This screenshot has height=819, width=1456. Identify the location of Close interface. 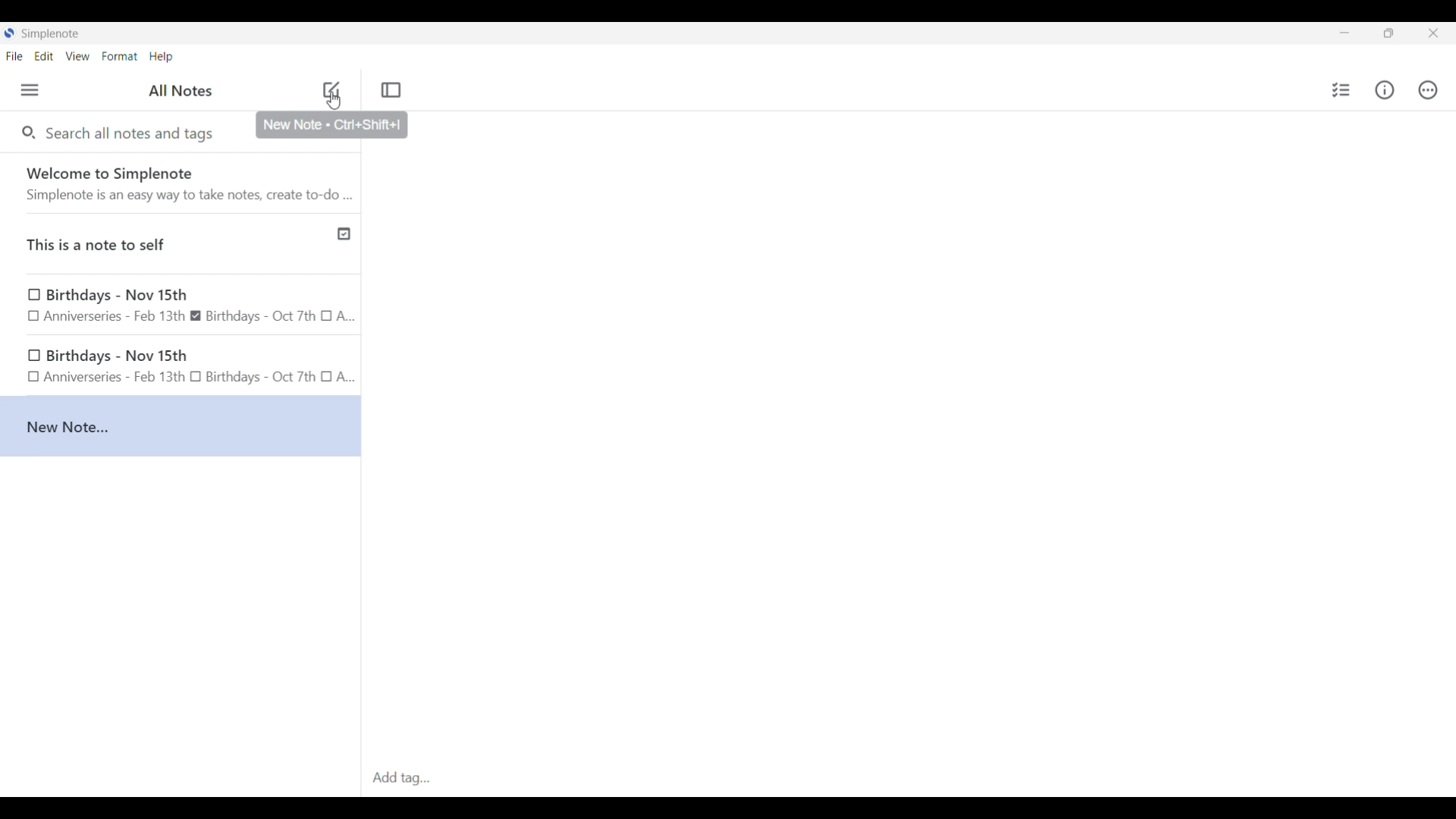
(1433, 33).